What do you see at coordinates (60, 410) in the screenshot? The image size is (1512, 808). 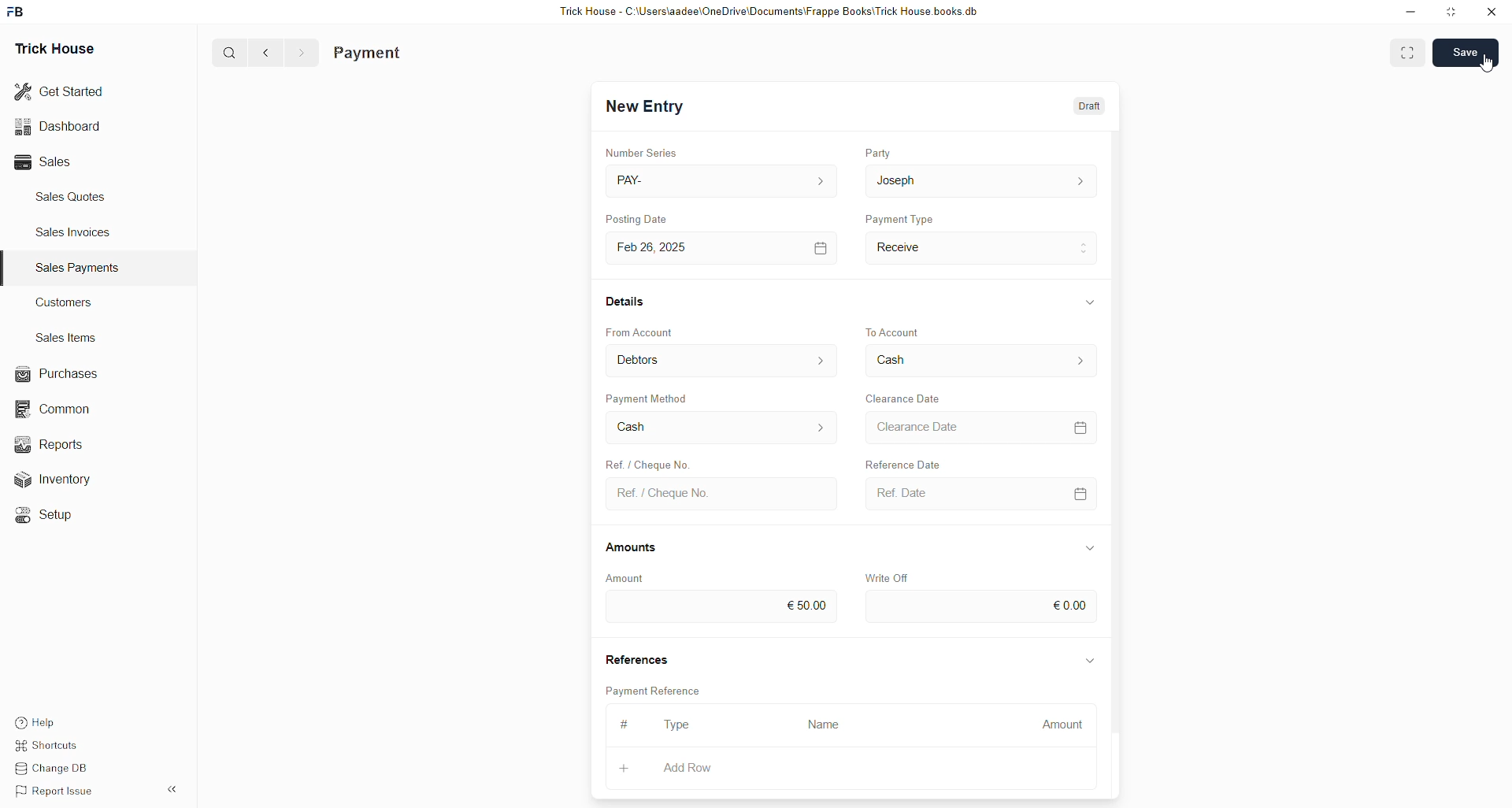 I see `Common` at bounding box center [60, 410].